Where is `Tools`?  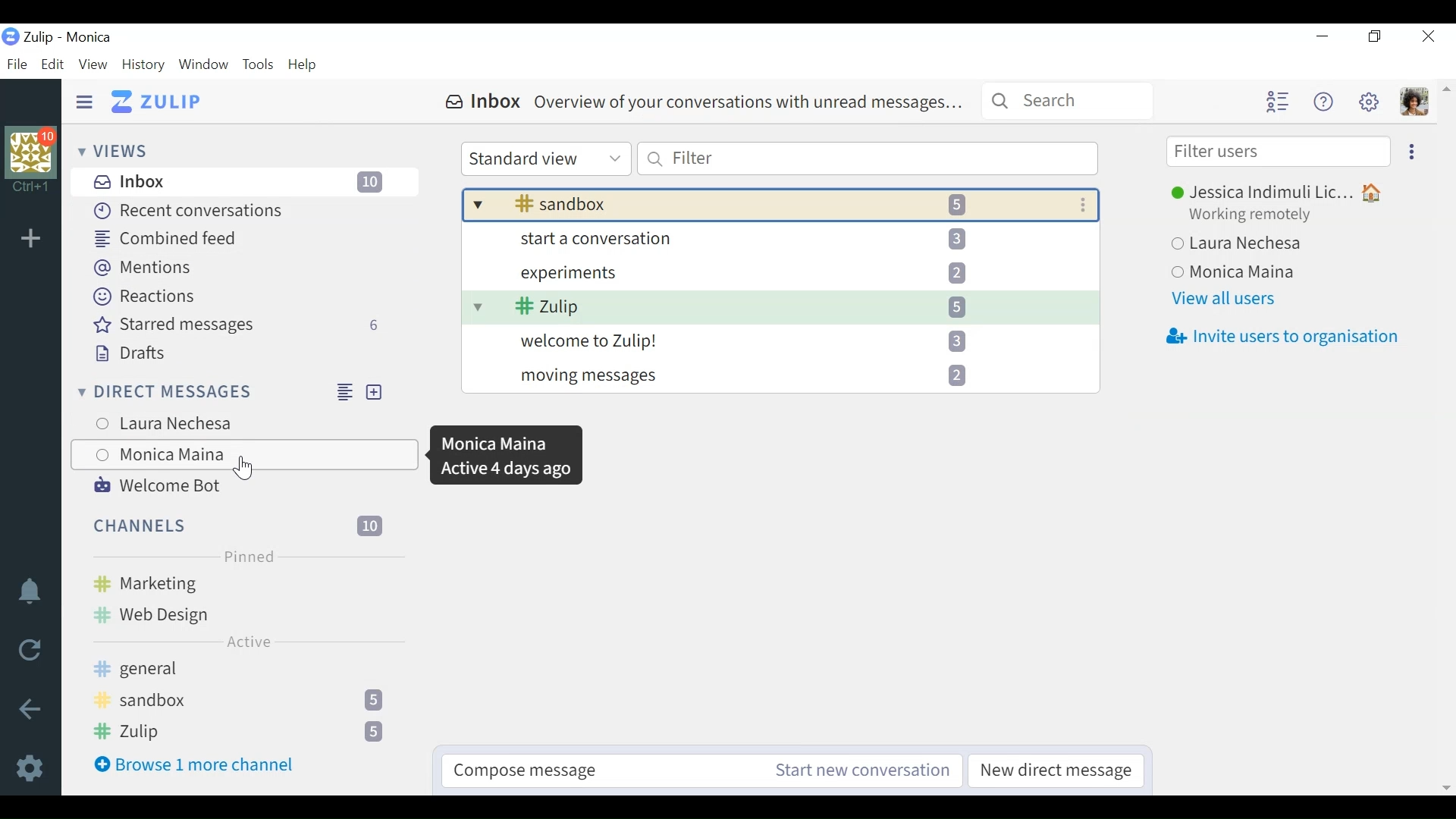 Tools is located at coordinates (260, 65).